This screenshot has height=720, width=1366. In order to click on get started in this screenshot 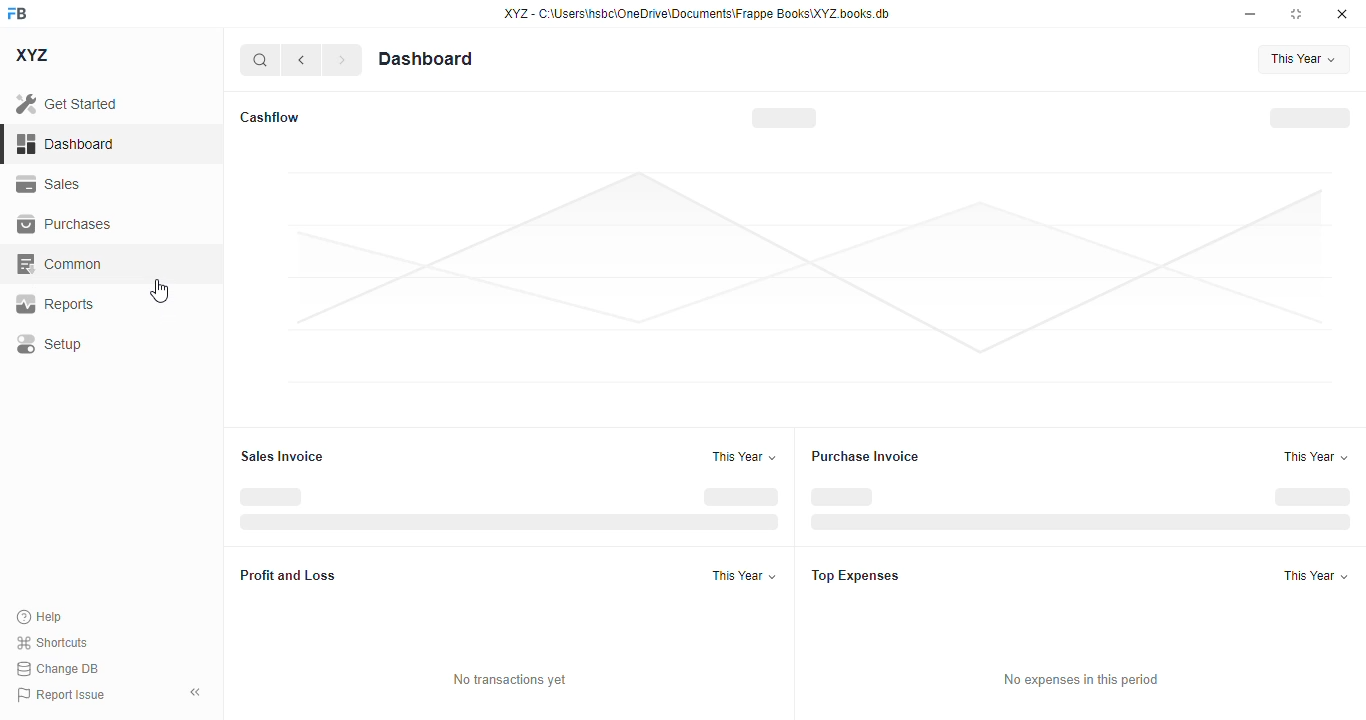, I will do `click(66, 103)`.